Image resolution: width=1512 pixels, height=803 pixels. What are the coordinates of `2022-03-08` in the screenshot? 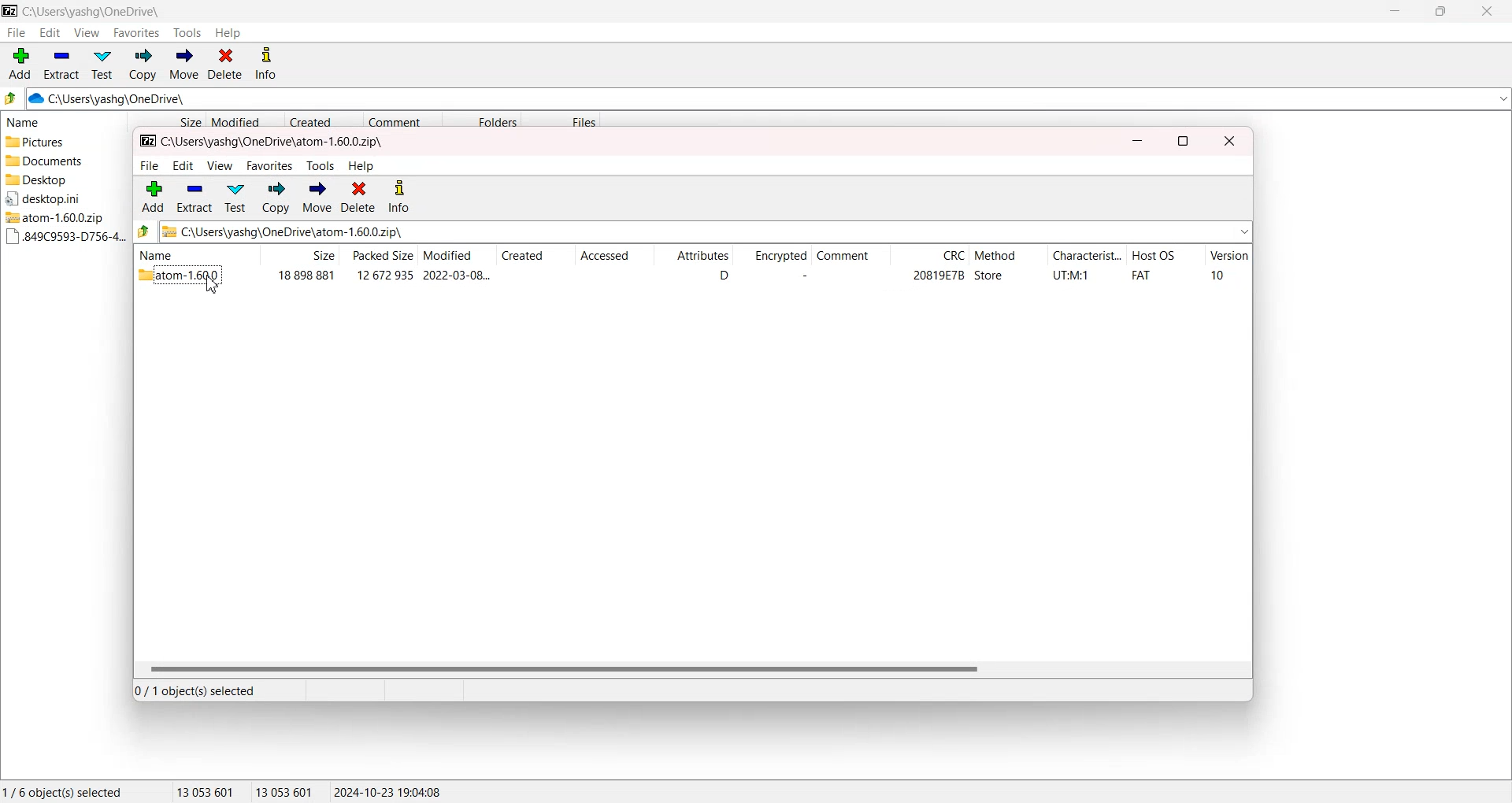 It's located at (457, 275).